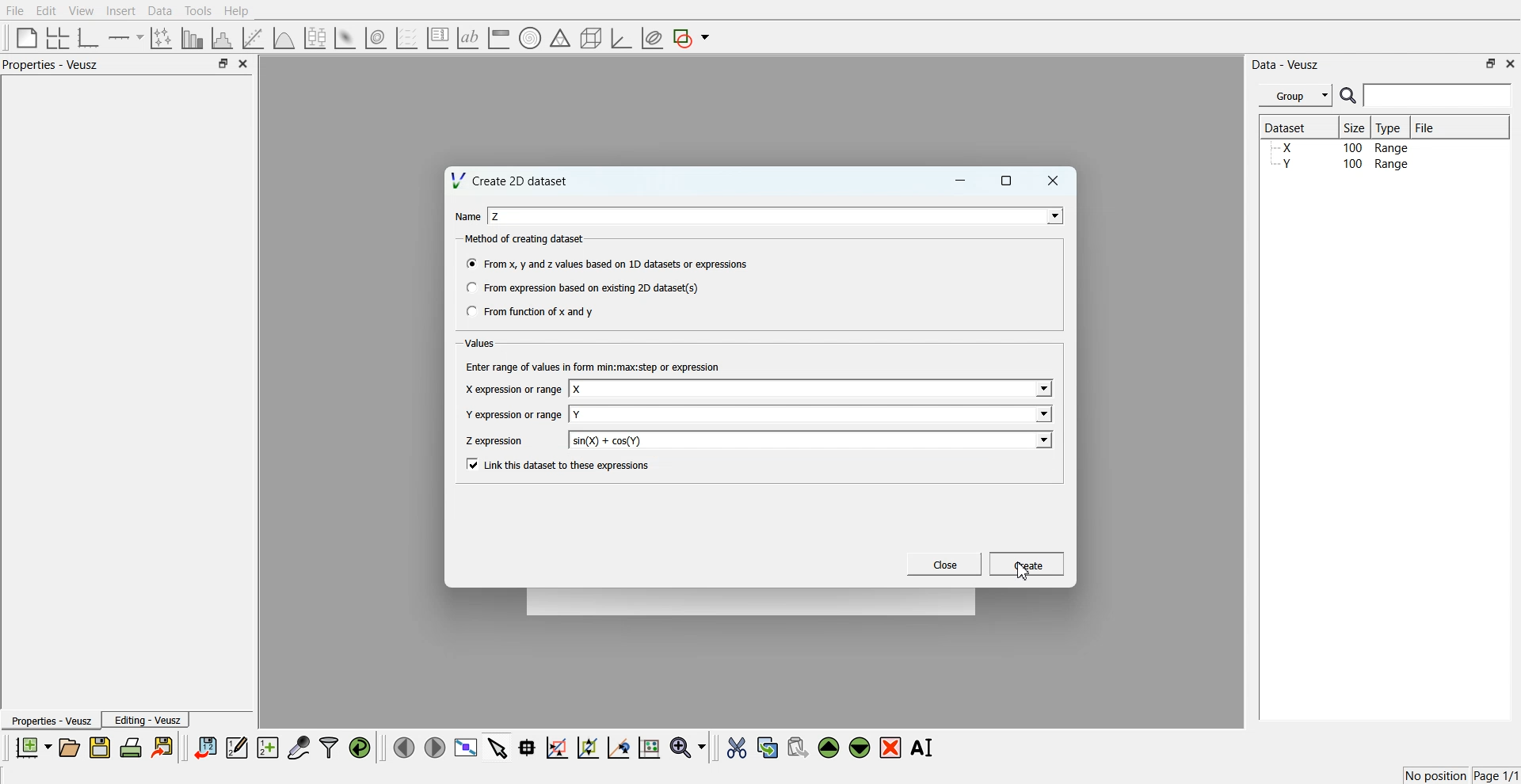 The width and height of the screenshot is (1521, 784). What do you see at coordinates (499, 37) in the screenshot?
I see `Image color bar` at bounding box center [499, 37].